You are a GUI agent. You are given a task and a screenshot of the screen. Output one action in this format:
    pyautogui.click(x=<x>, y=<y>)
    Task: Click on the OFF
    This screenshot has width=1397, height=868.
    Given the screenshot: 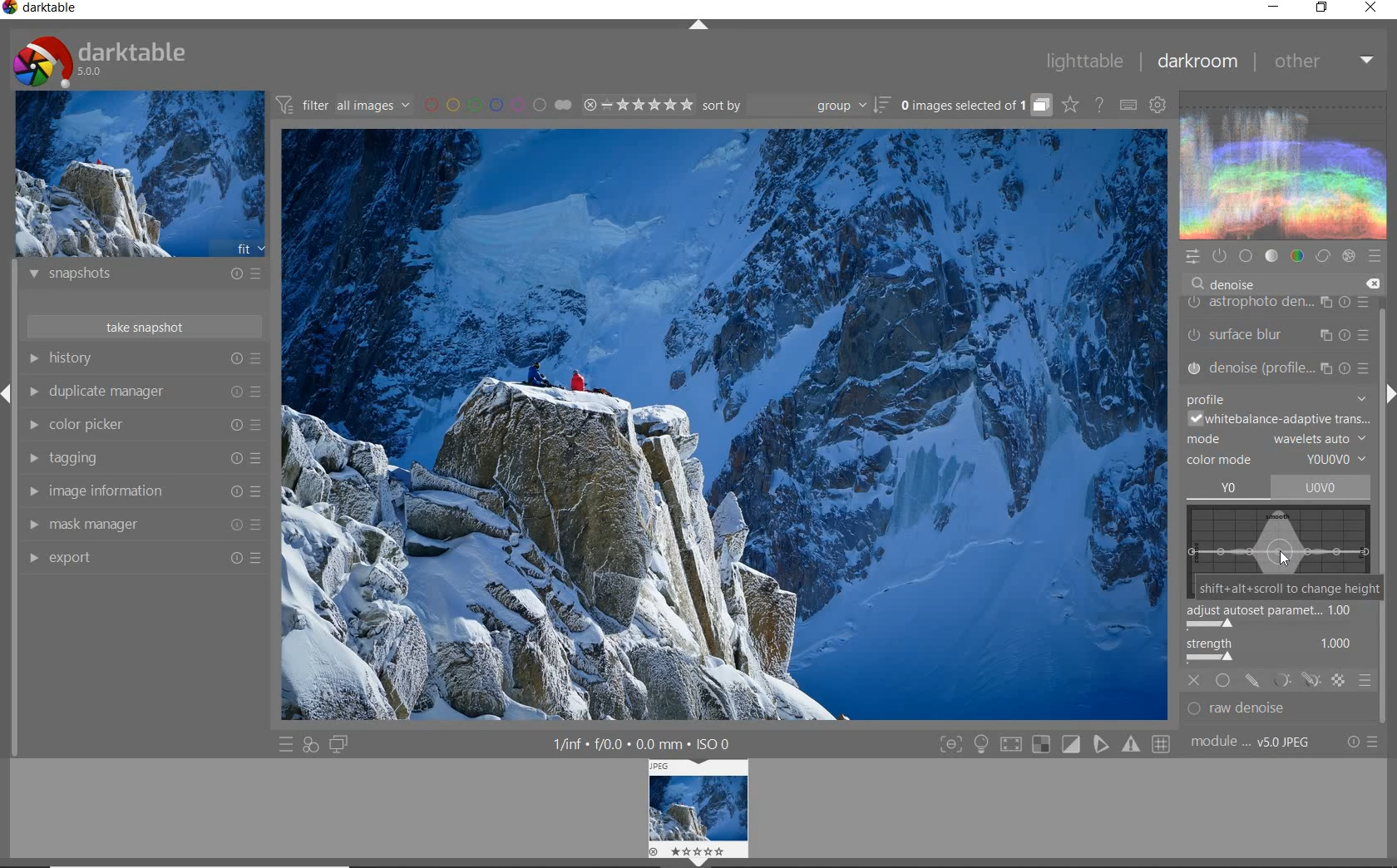 What is the action you would take?
    pyautogui.click(x=1195, y=679)
    